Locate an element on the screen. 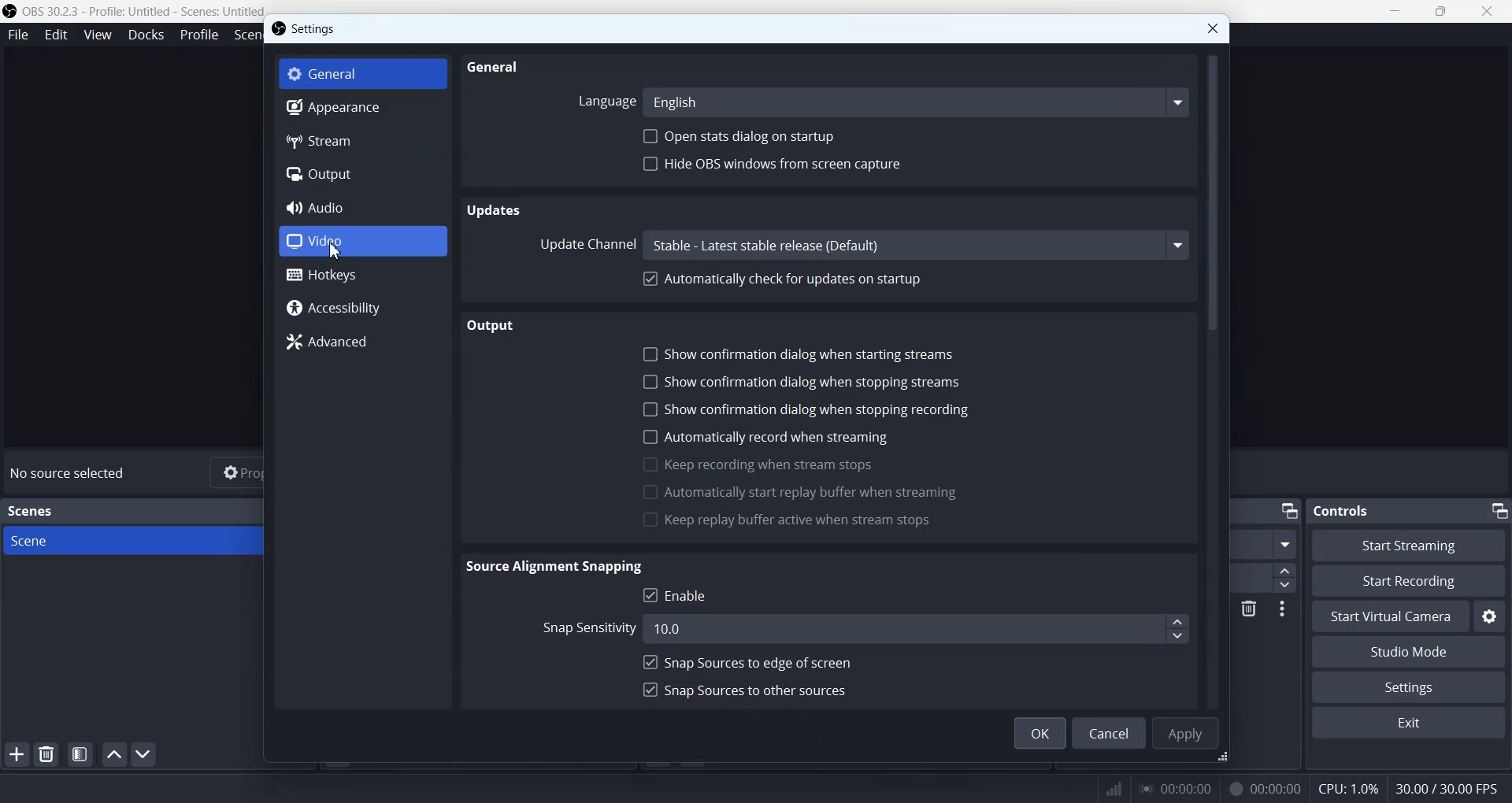  Move scene Down is located at coordinates (144, 754).